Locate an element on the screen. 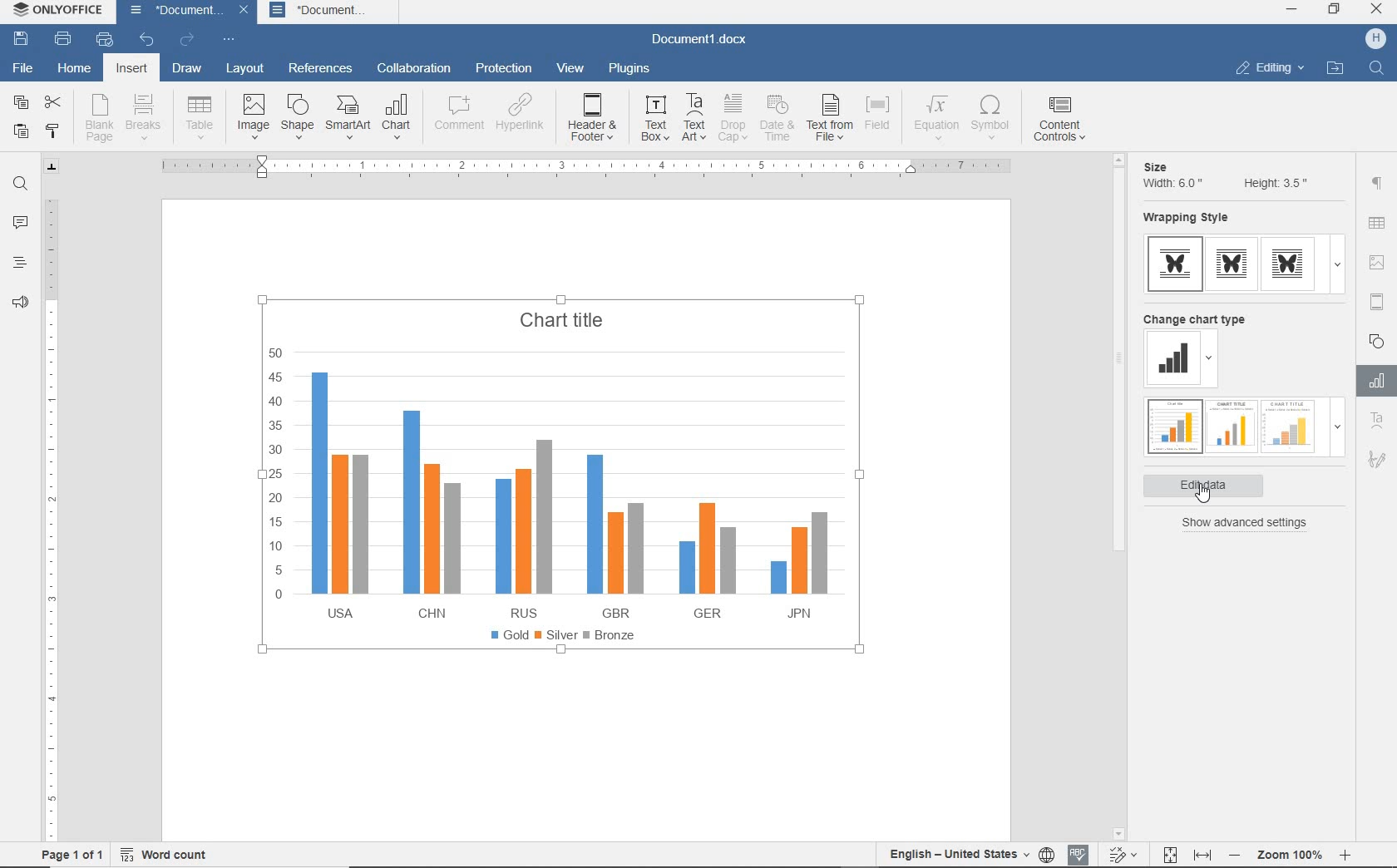  comments is located at coordinates (21, 224).